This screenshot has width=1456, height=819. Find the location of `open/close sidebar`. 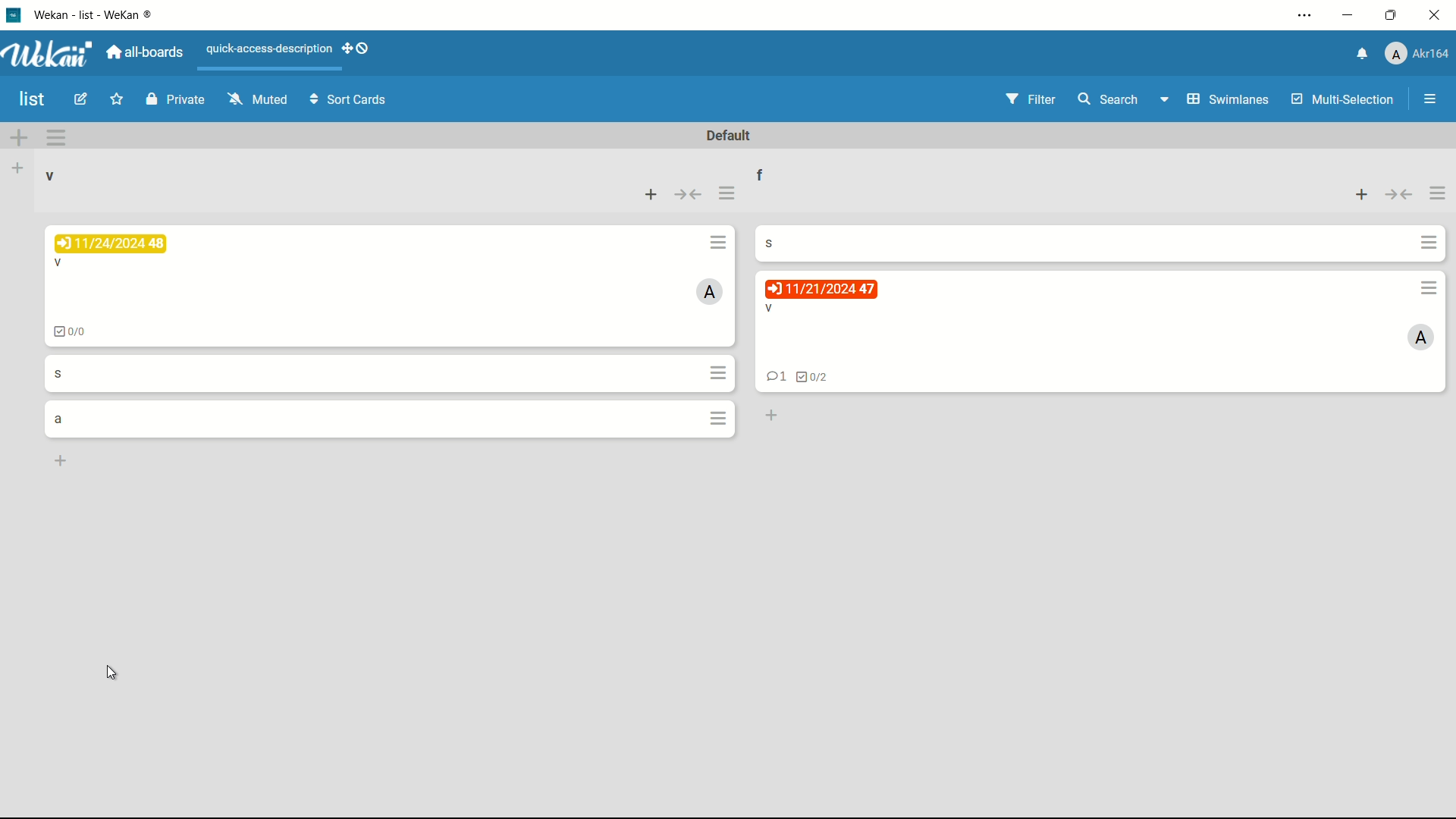

open/close sidebar is located at coordinates (1430, 101).